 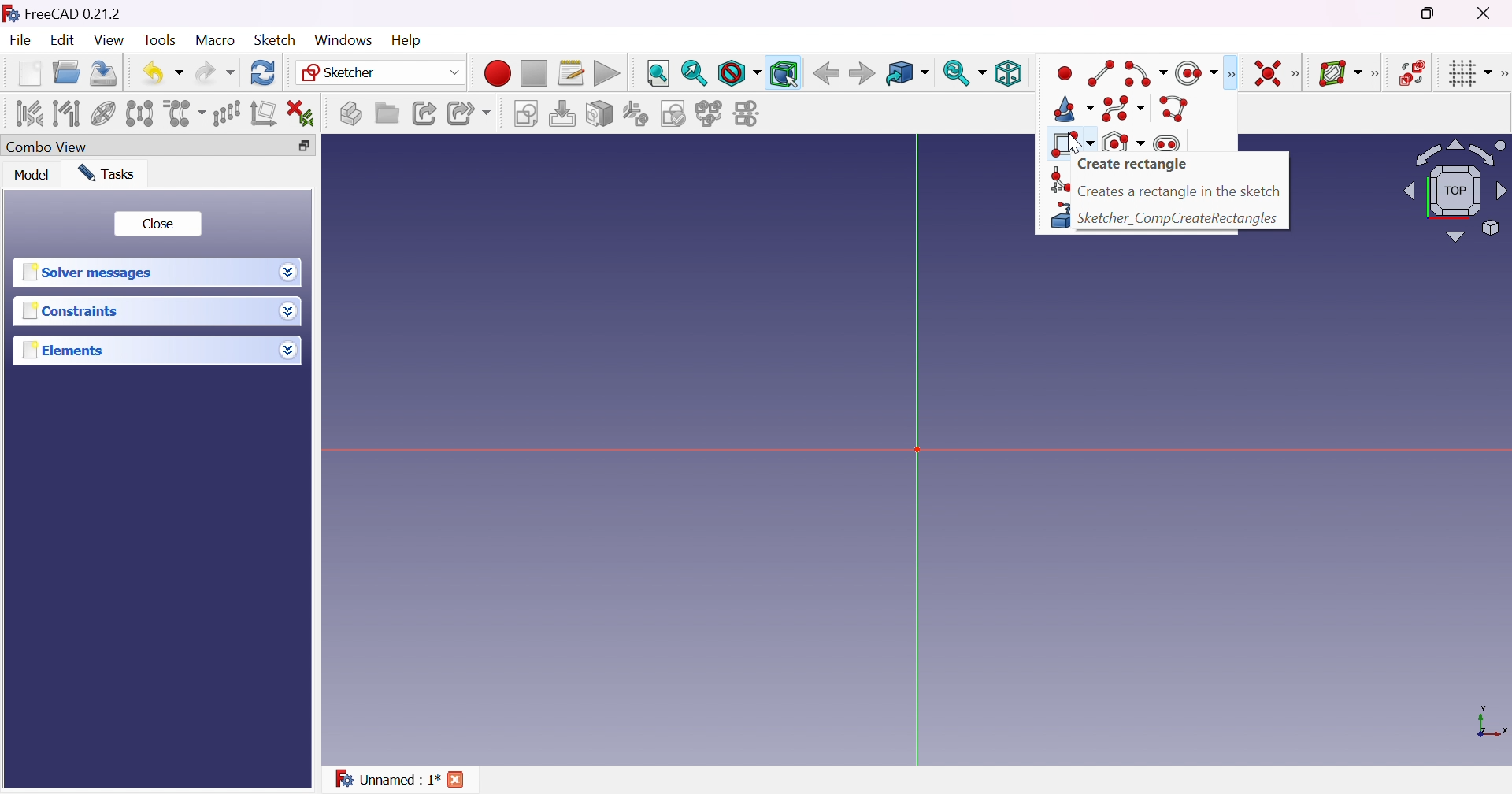 I want to click on Create conic, so click(x=1075, y=107).